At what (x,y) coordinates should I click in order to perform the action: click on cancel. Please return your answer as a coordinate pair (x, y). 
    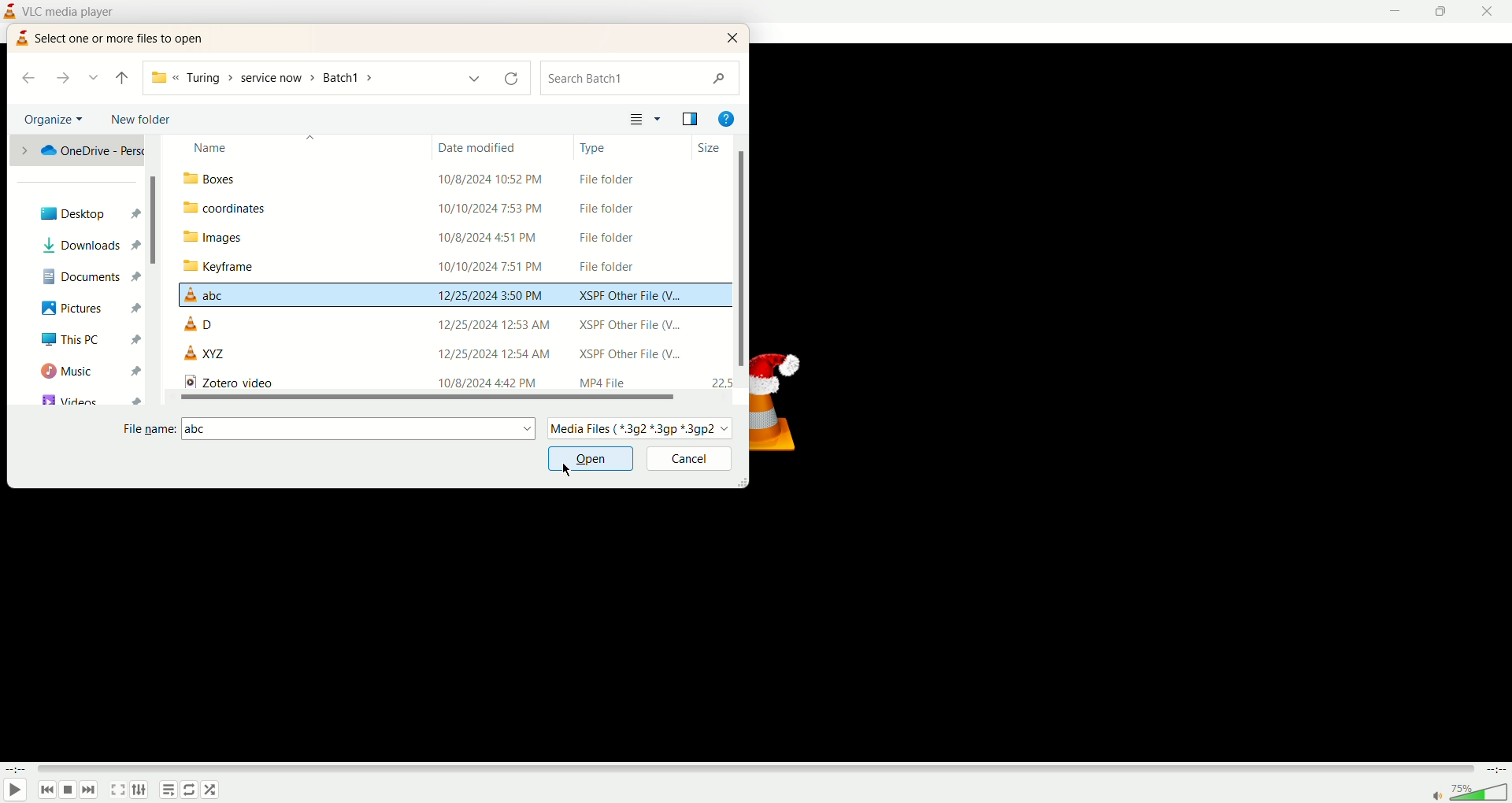
    Looking at the image, I should click on (687, 459).